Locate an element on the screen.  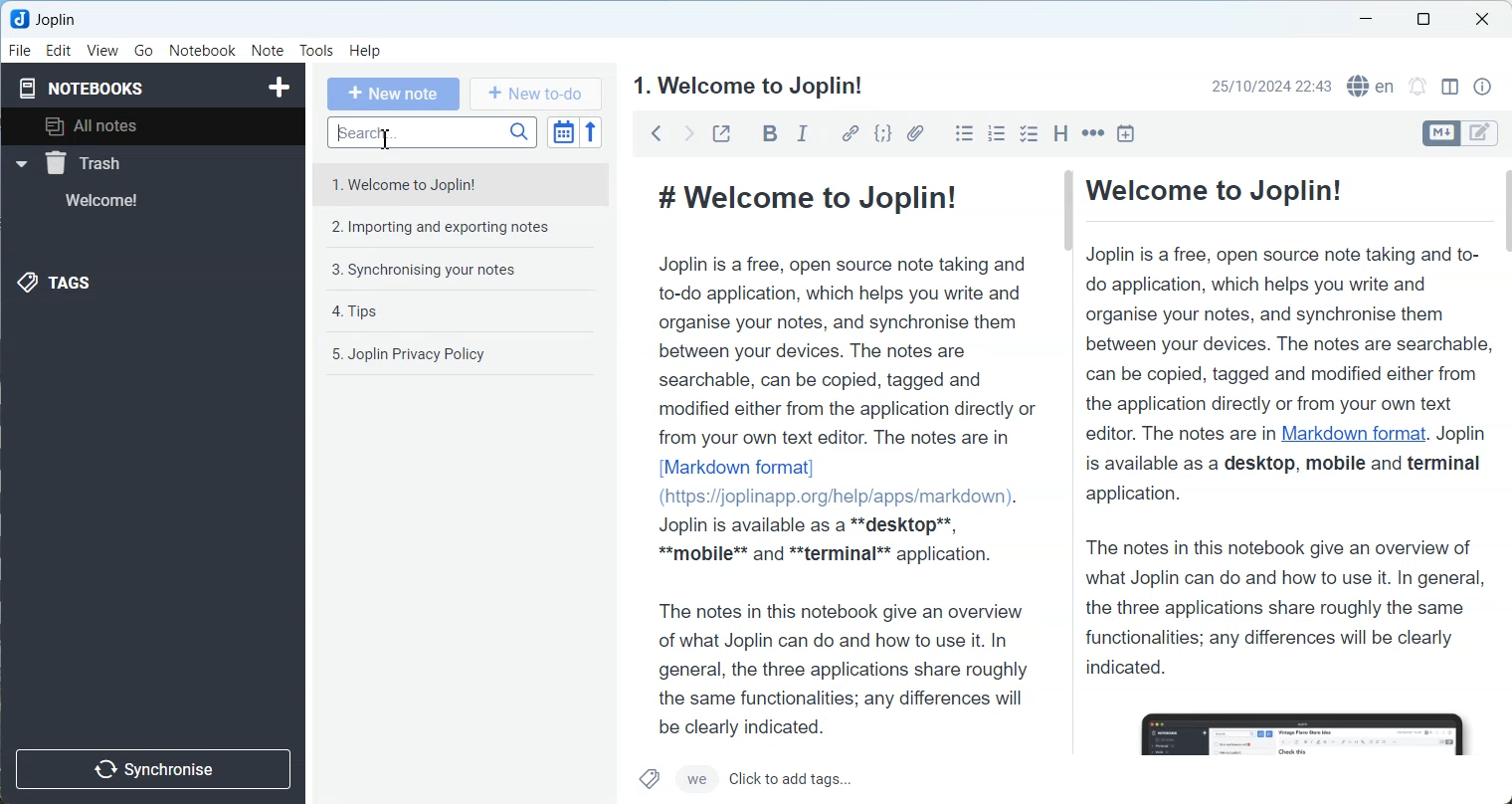
Attached file is located at coordinates (915, 133).